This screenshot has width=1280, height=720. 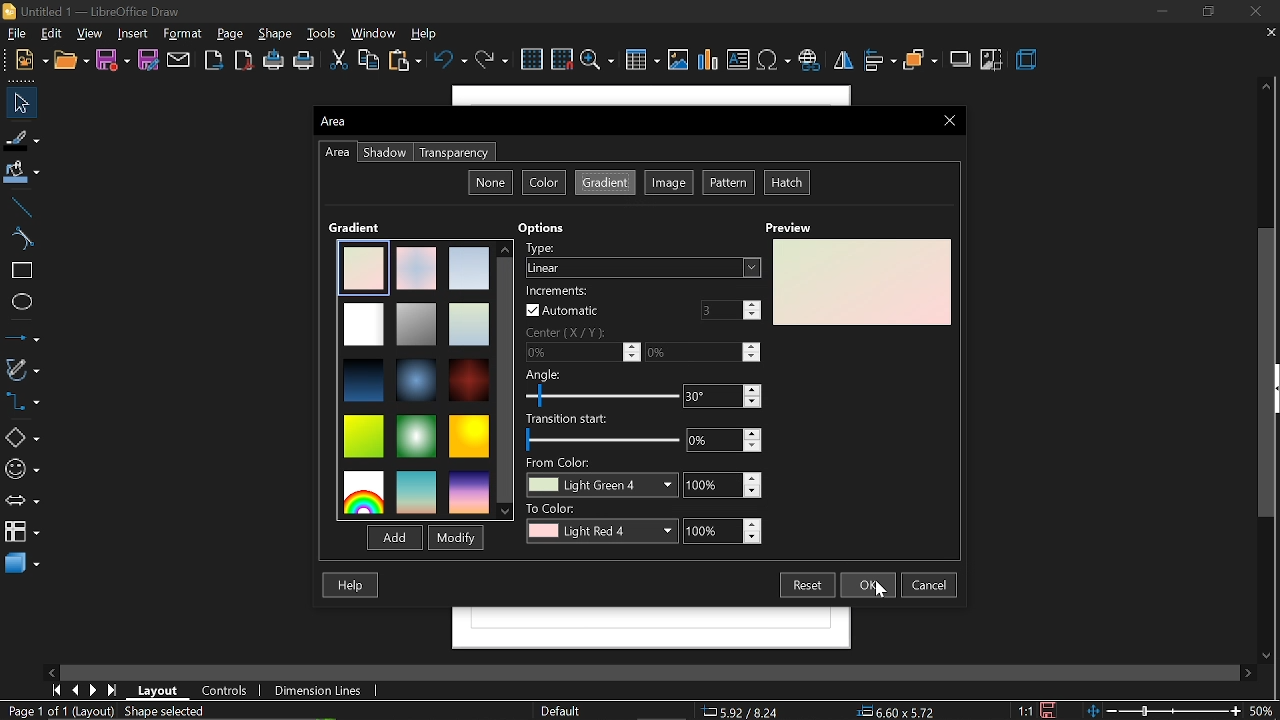 I want to click on transition start value, so click(x=725, y=440).